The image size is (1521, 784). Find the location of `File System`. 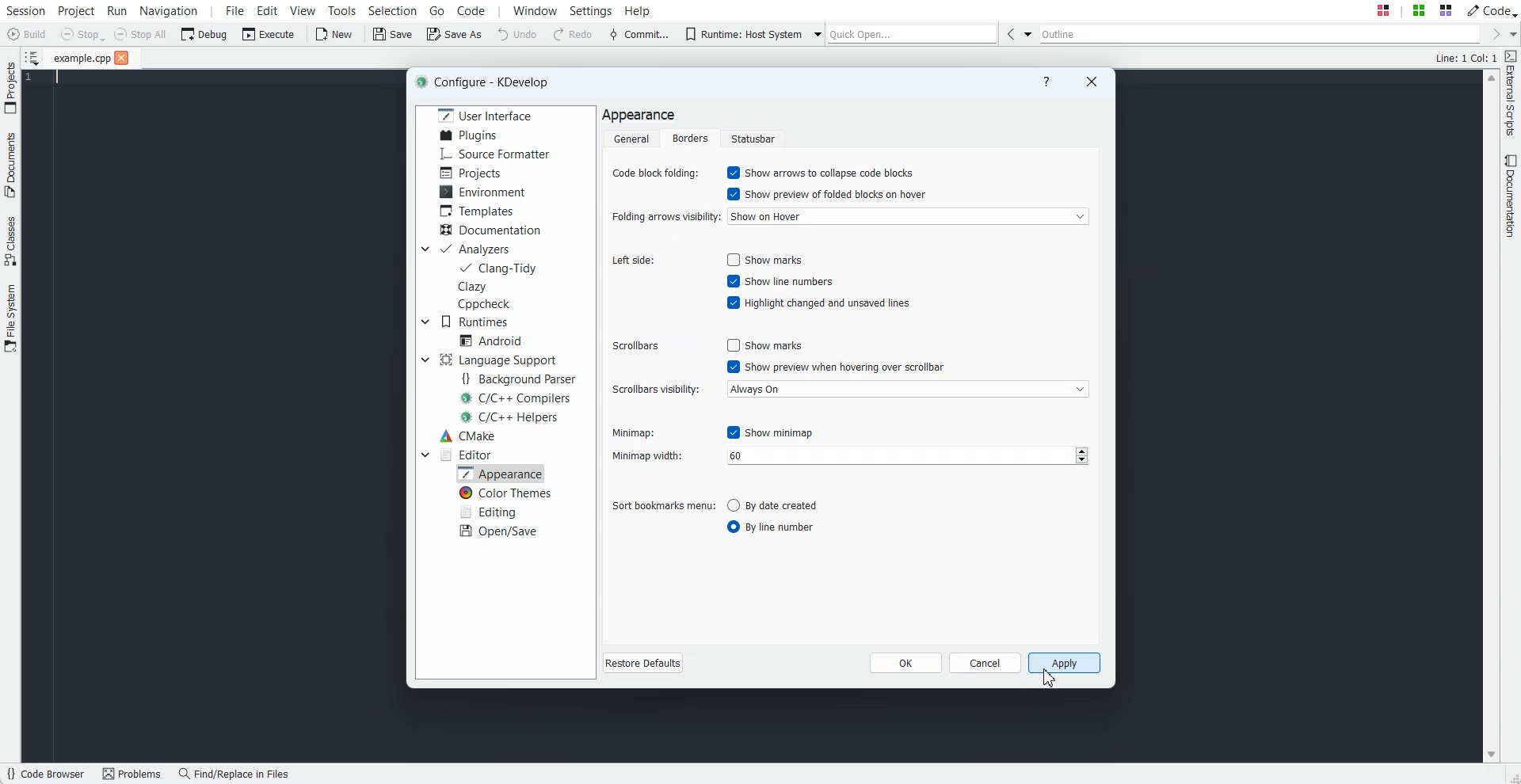

File System is located at coordinates (10, 319).